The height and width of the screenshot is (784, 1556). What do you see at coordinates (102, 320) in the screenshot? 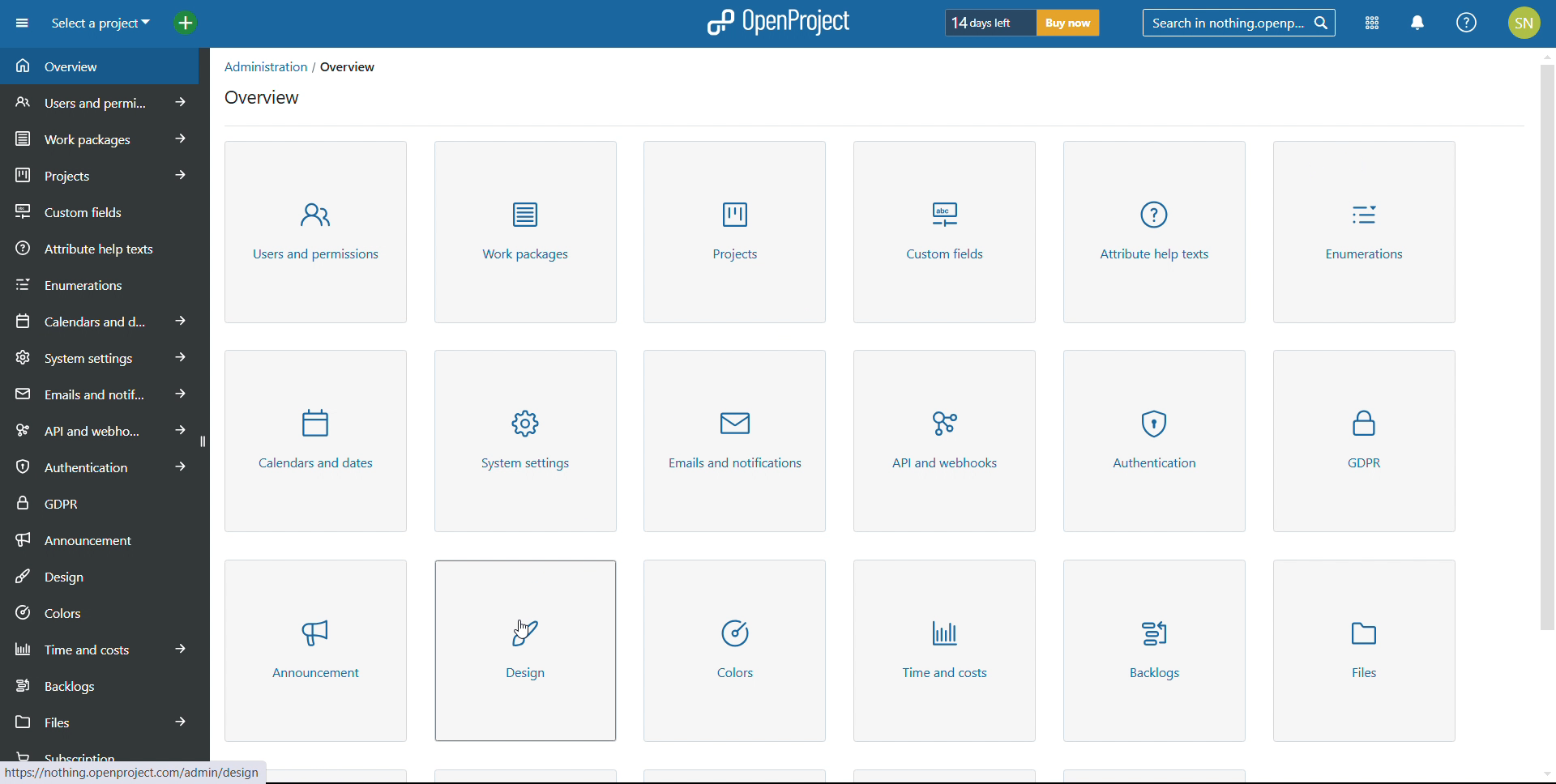
I see `calendars and dates` at bounding box center [102, 320].